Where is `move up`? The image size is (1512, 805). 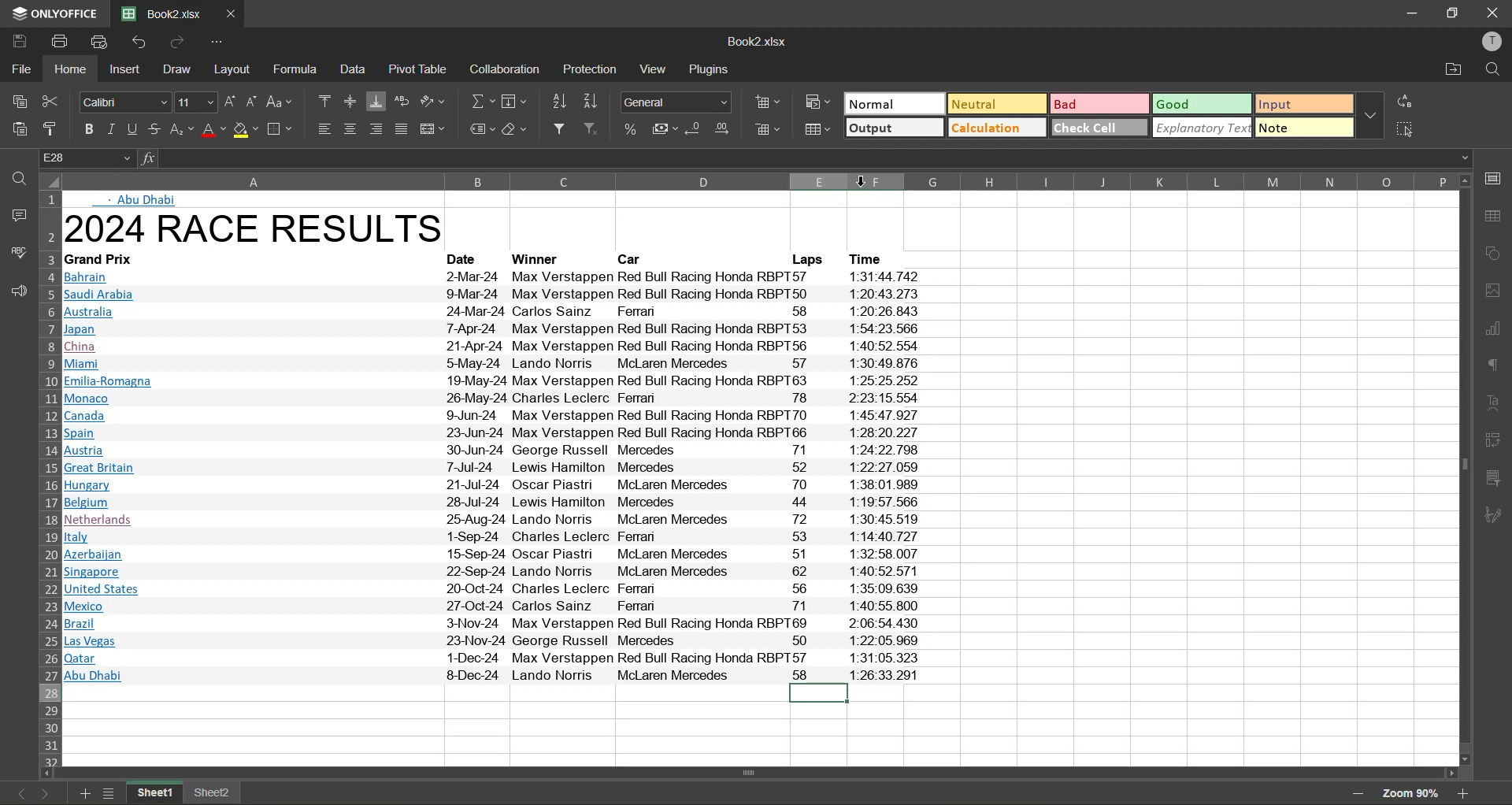
move up is located at coordinates (1466, 180).